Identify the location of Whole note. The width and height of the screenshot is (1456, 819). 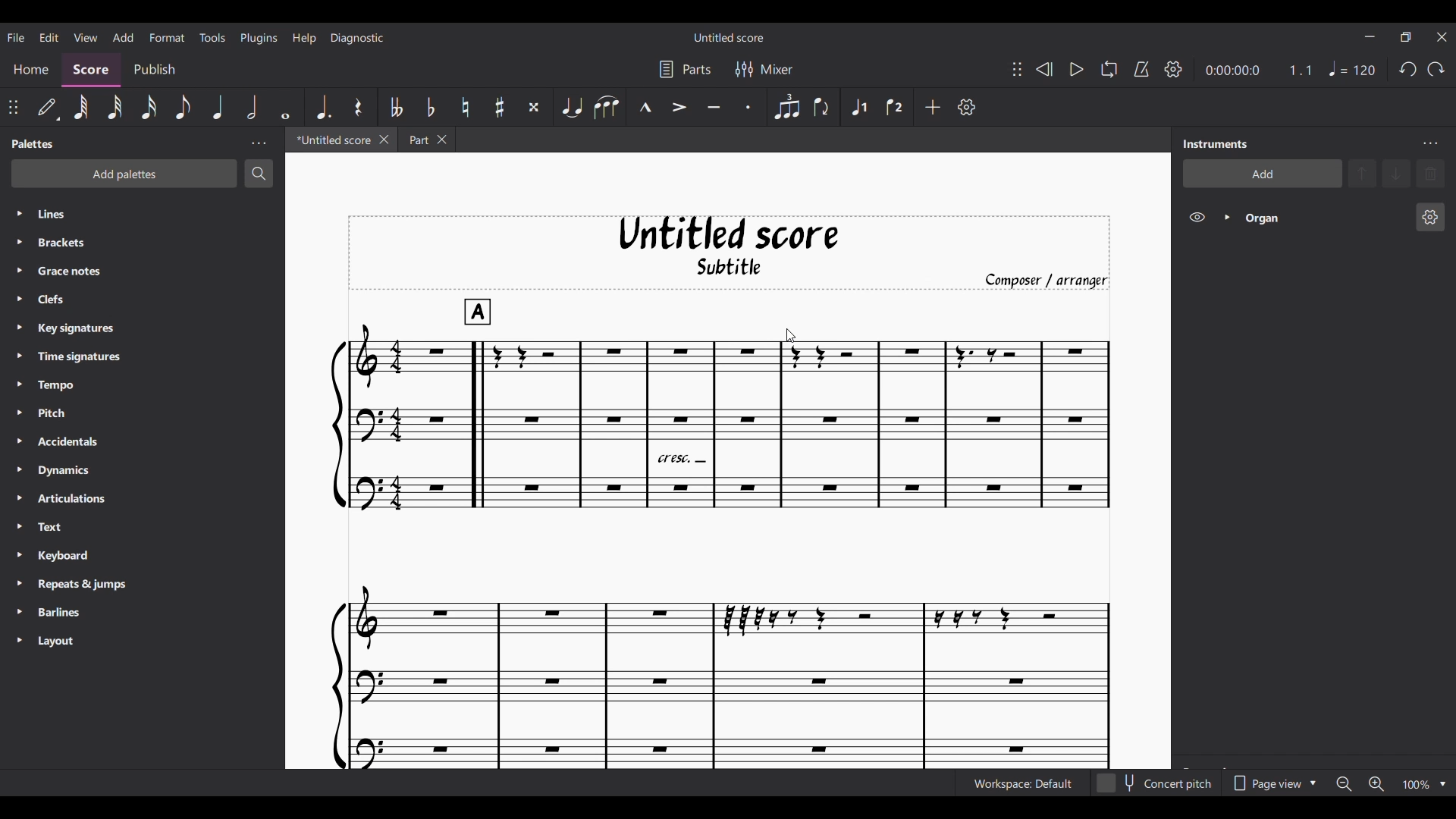
(284, 107).